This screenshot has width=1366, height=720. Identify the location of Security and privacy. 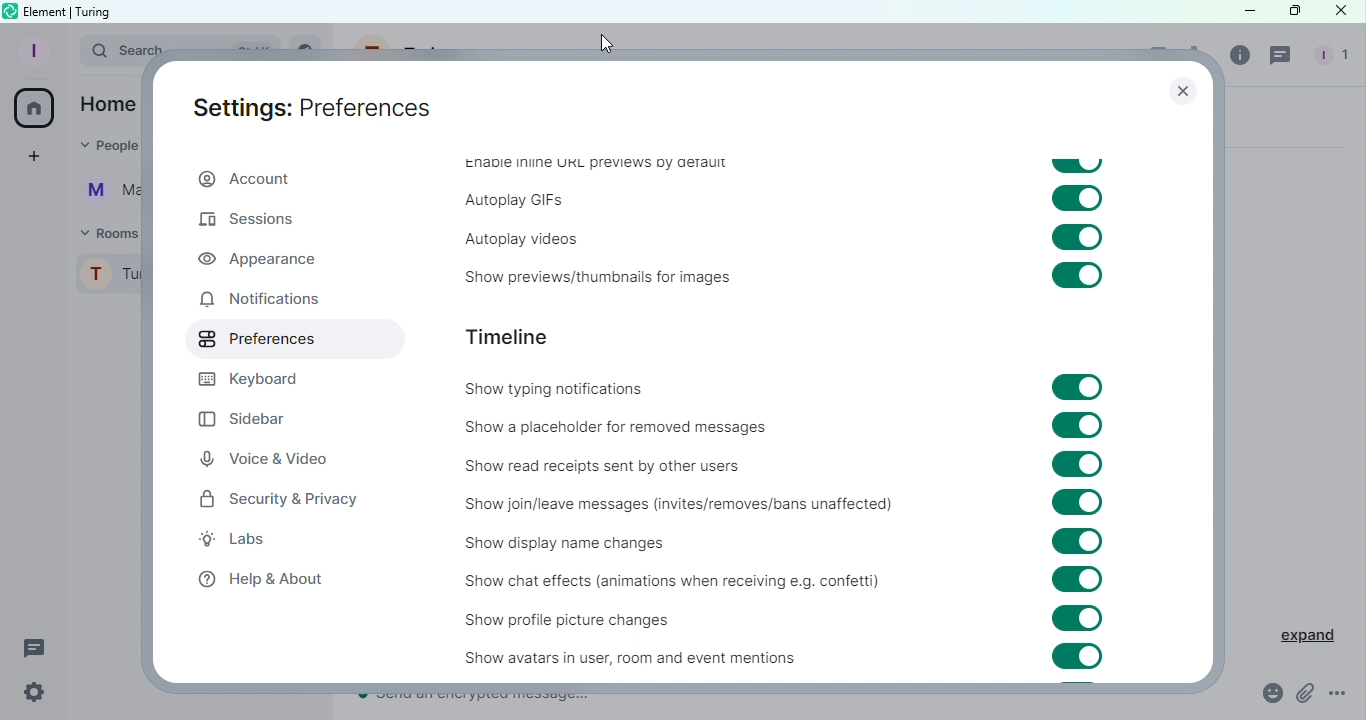
(279, 503).